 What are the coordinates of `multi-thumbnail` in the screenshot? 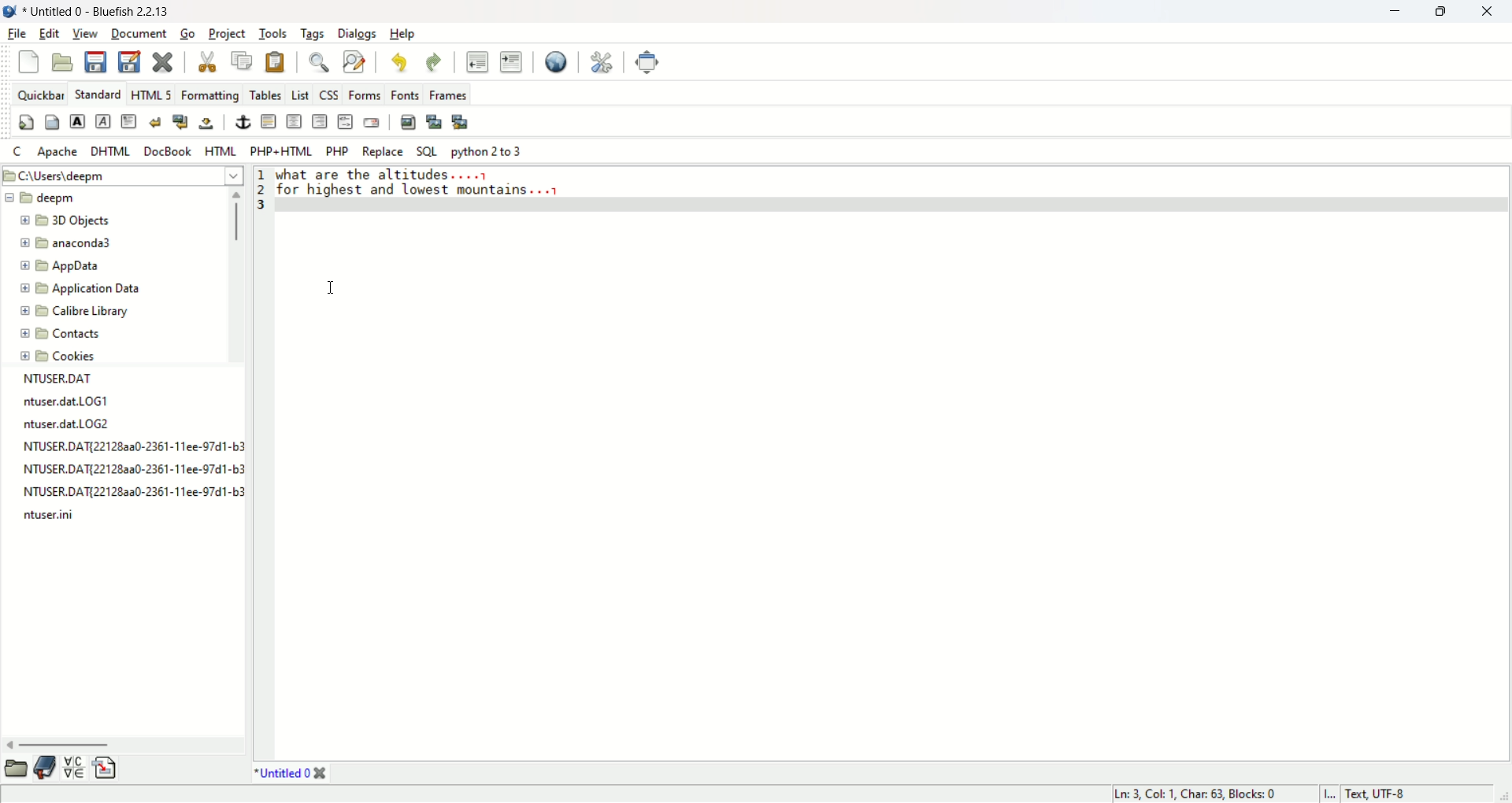 It's located at (460, 120).